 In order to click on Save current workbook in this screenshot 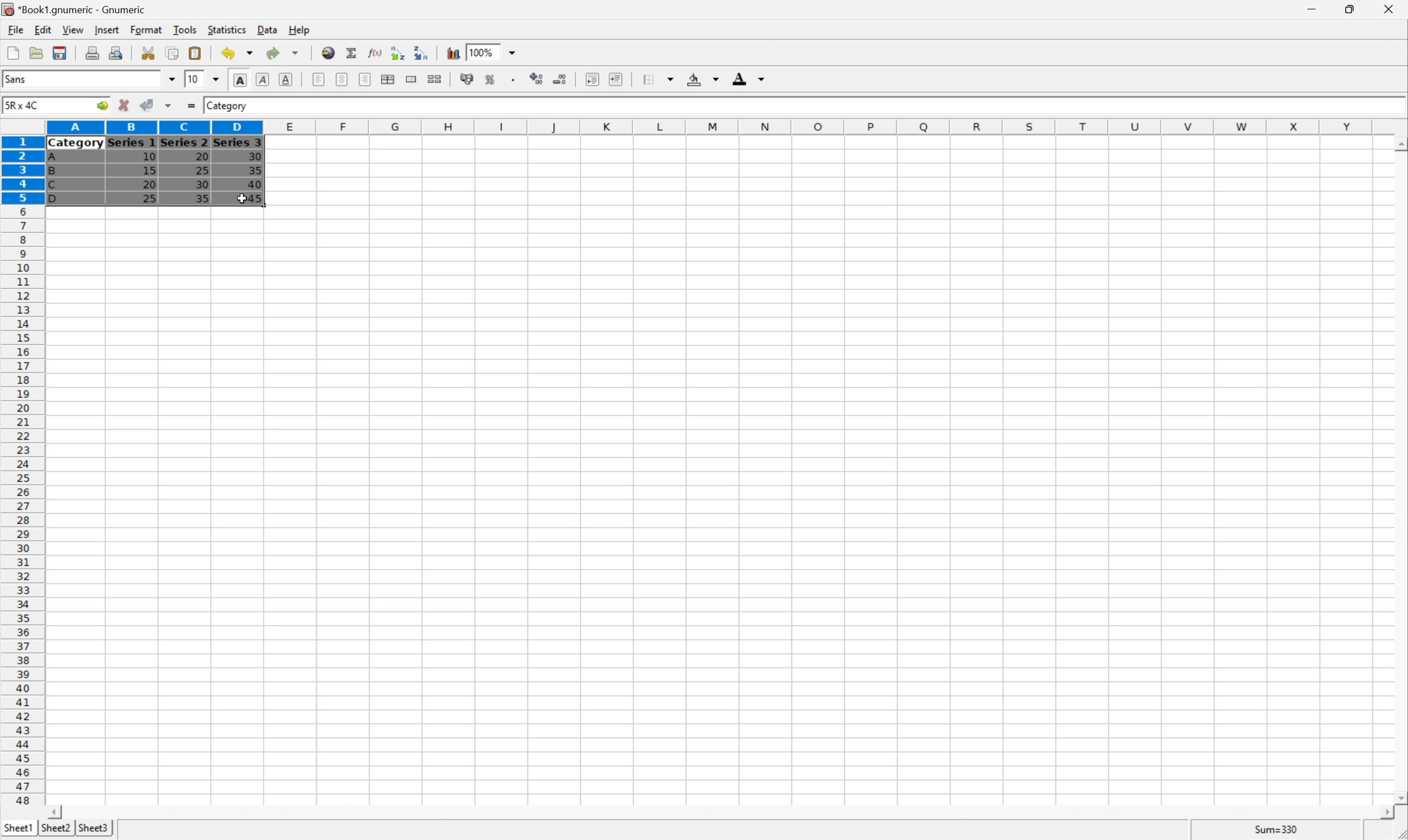, I will do `click(59, 52)`.